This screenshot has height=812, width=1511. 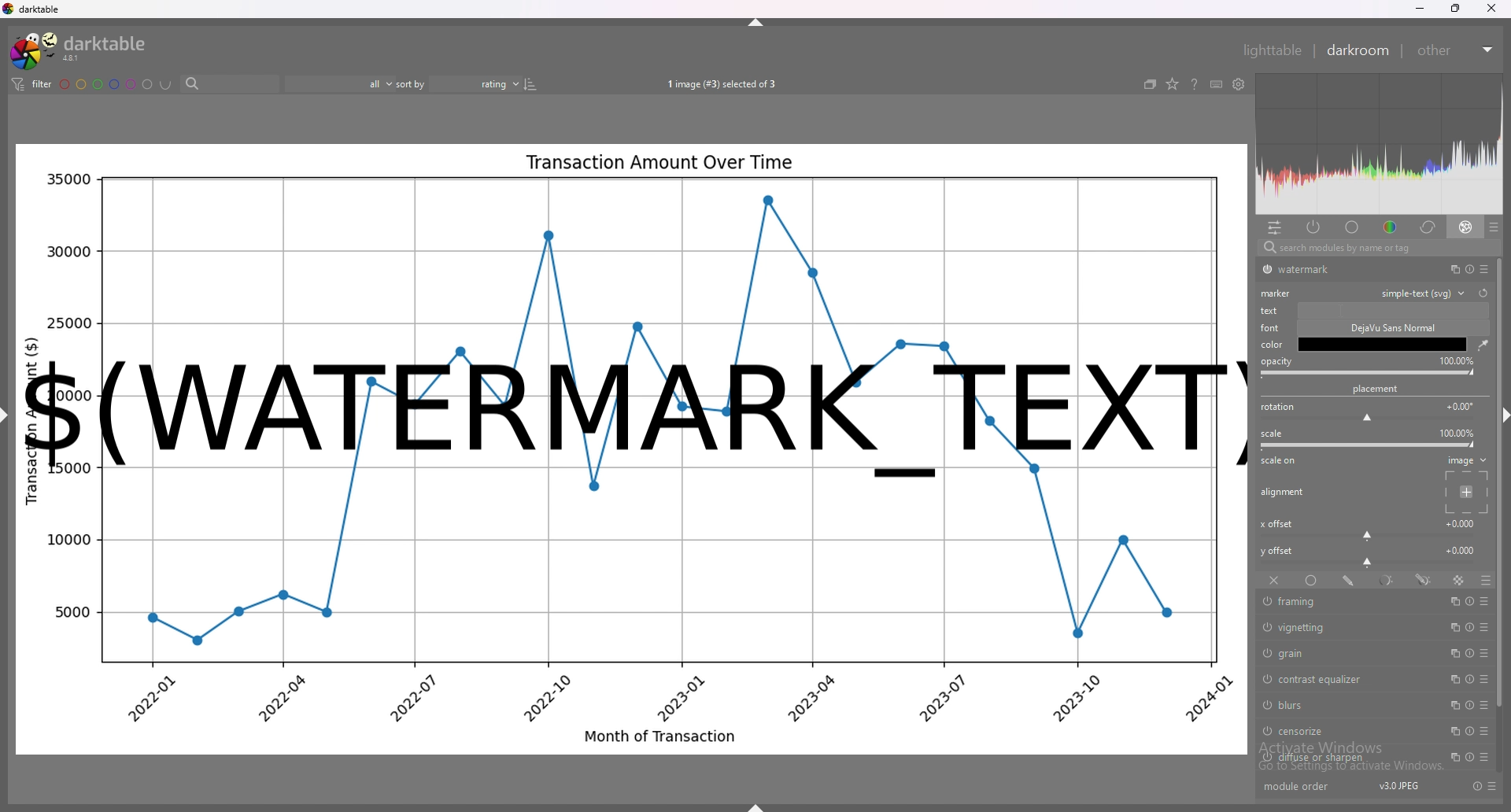 What do you see at coordinates (1195, 85) in the screenshot?
I see `help` at bounding box center [1195, 85].